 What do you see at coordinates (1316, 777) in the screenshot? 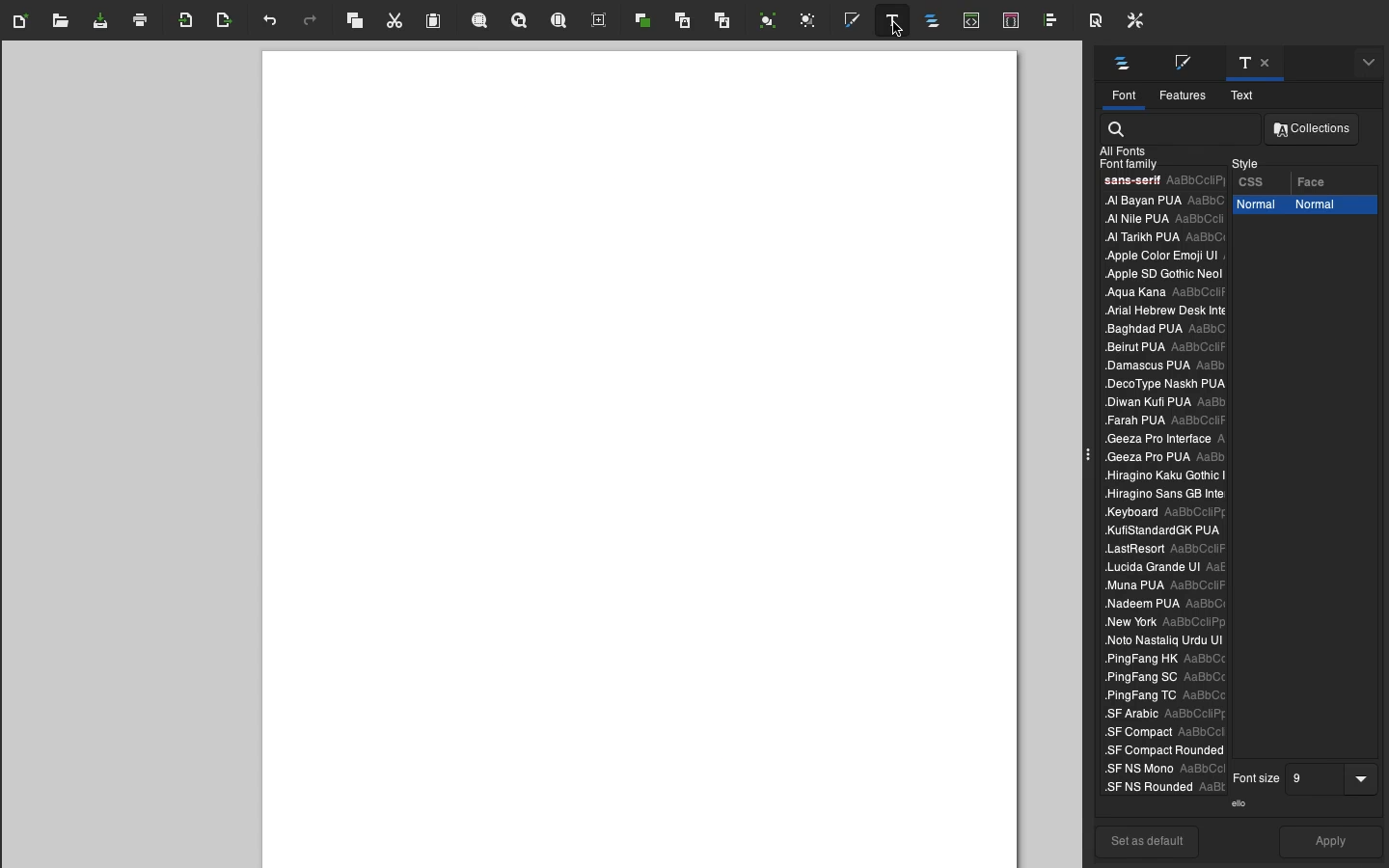
I see `9` at bounding box center [1316, 777].